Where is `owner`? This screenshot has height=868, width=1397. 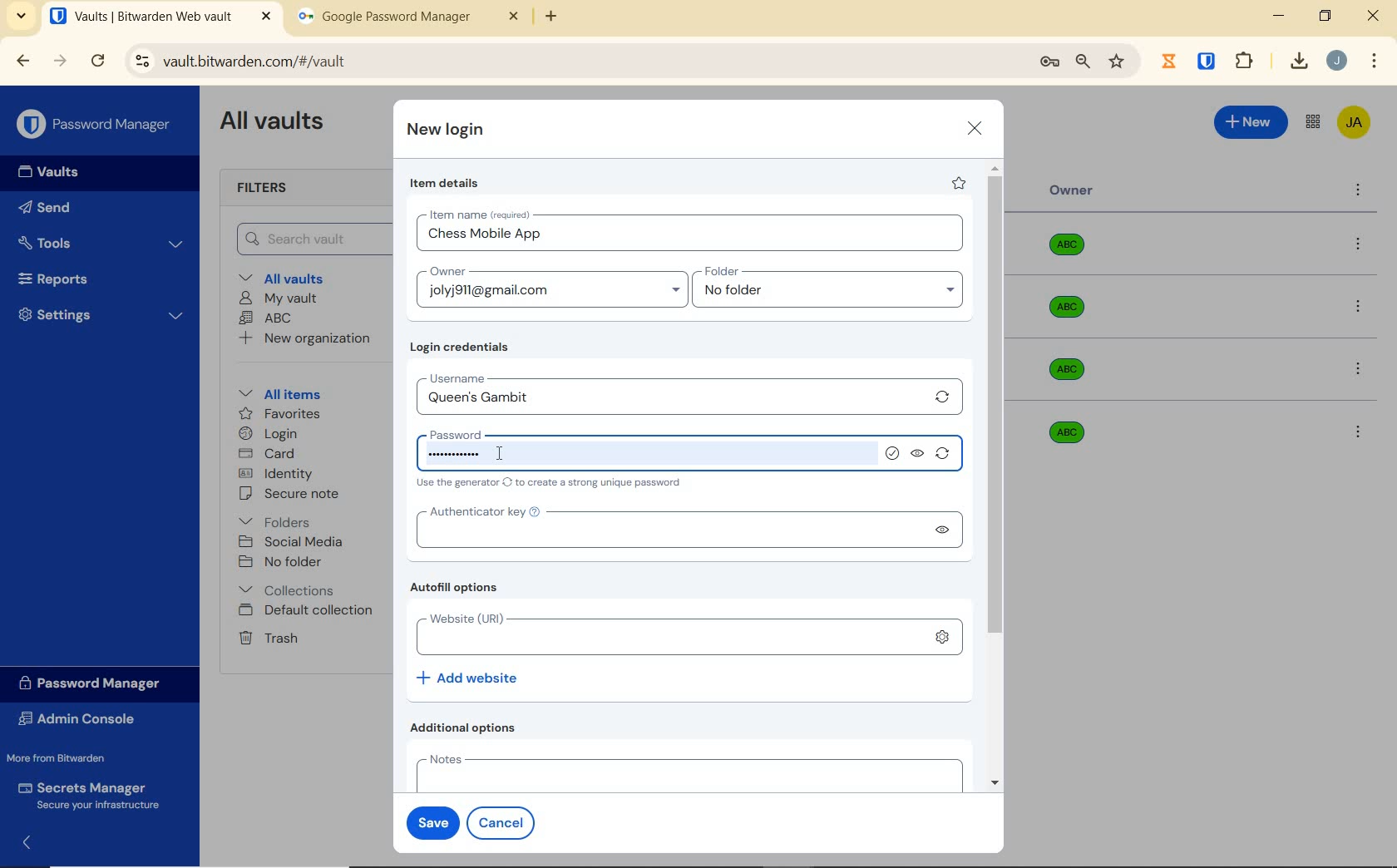
owner is located at coordinates (446, 273).